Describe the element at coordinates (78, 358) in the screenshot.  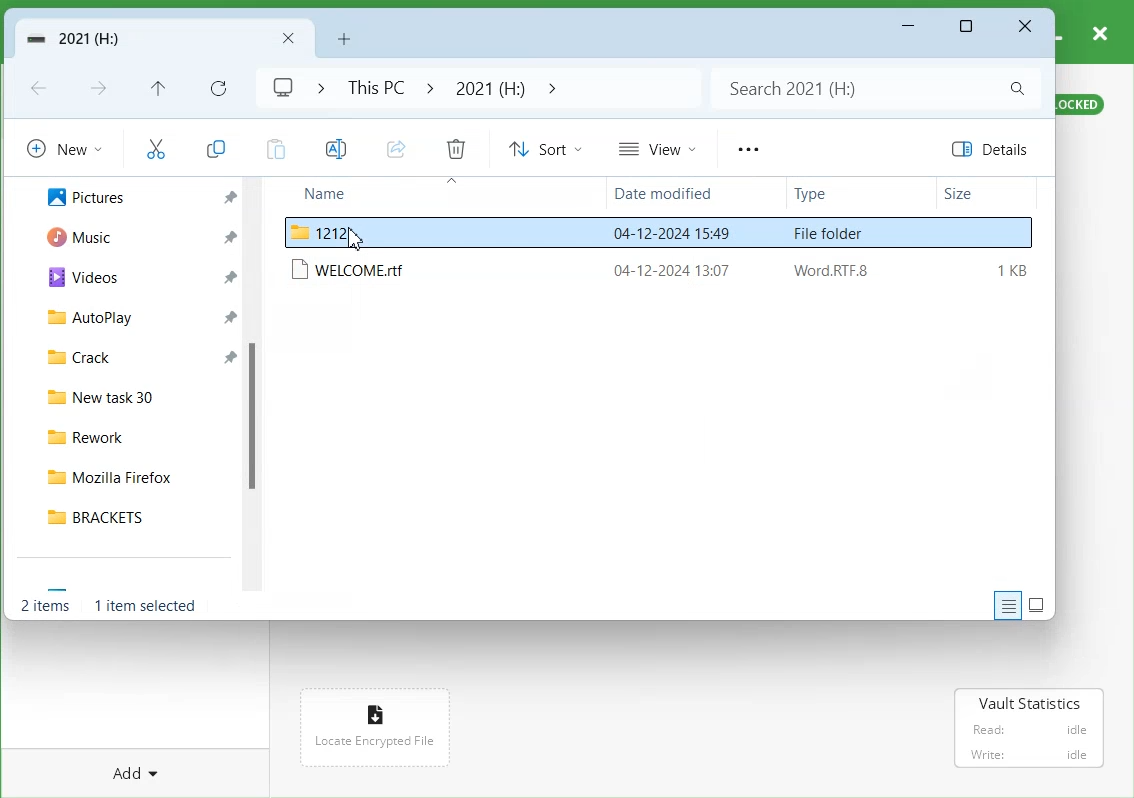
I see `Crack` at that location.